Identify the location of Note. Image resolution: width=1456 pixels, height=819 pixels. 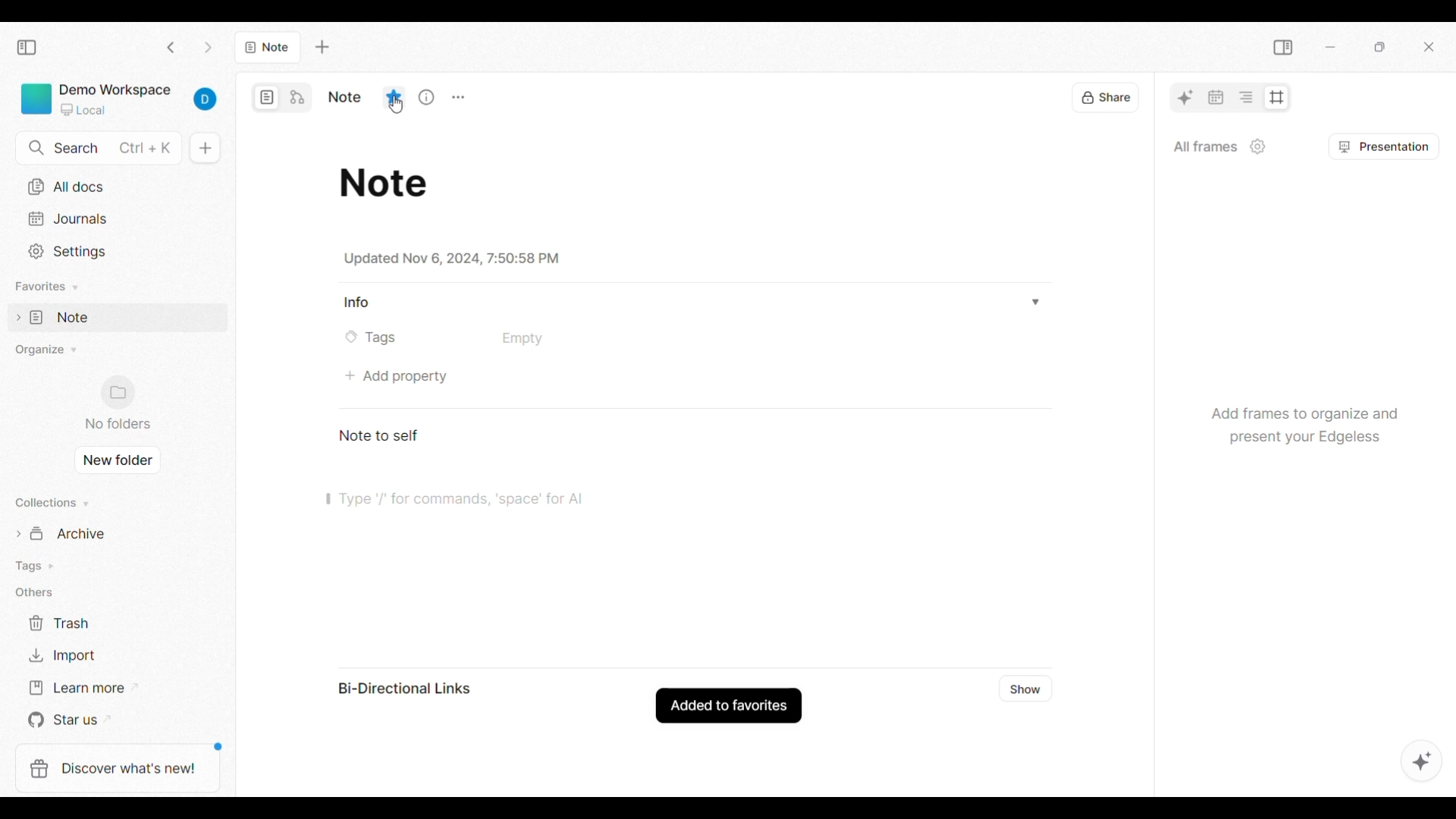
(388, 180).